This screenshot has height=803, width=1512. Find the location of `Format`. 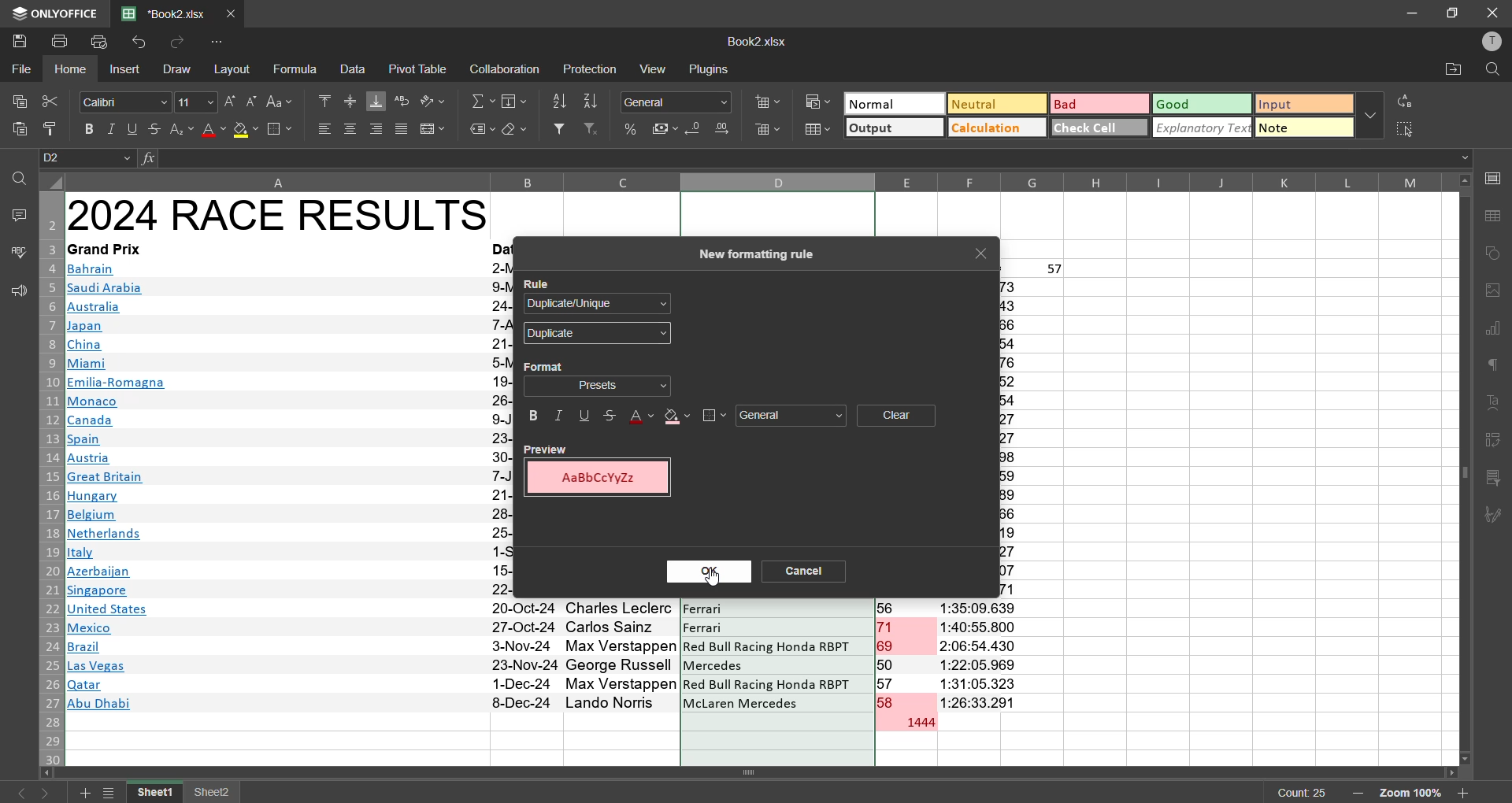

Format is located at coordinates (545, 364).